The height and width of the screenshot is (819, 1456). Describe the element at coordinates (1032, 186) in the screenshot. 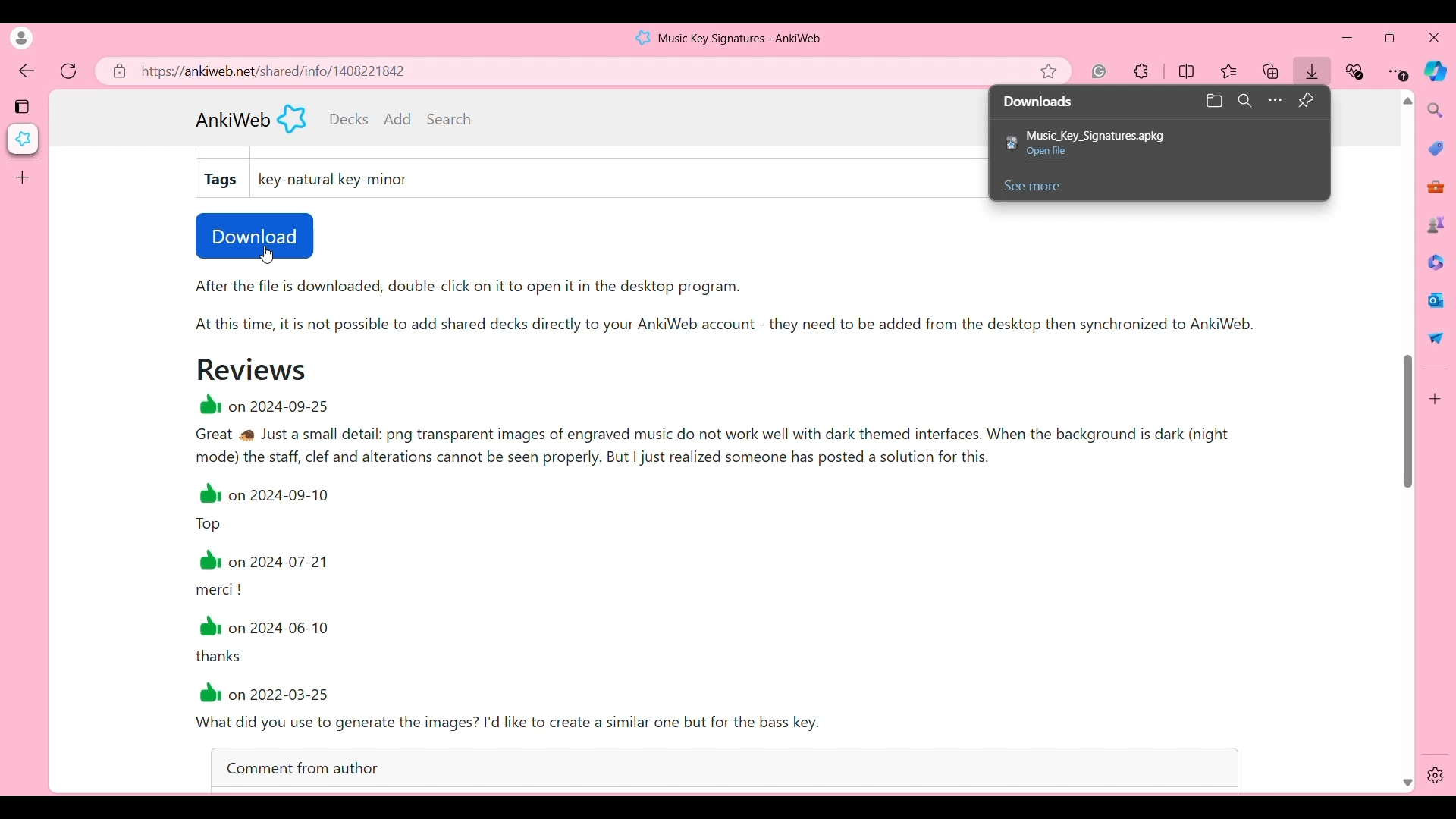

I see `See more` at that location.